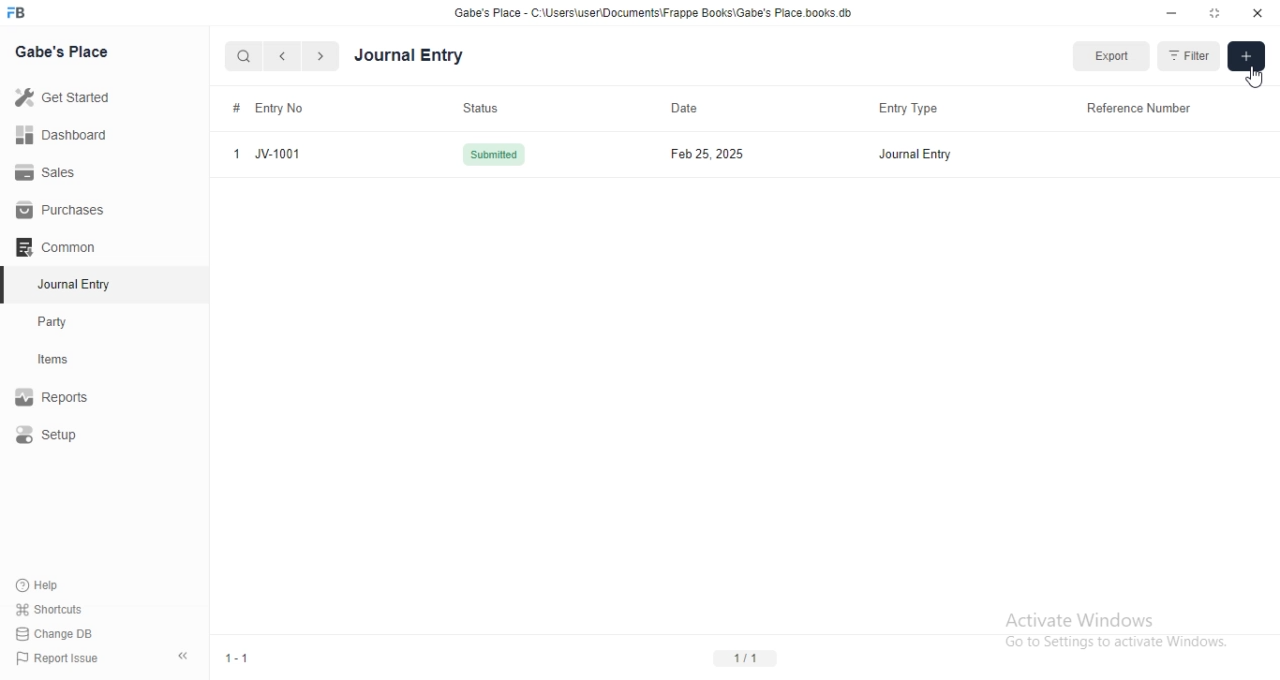 This screenshot has height=680, width=1280. What do you see at coordinates (680, 107) in the screenshot?
I see `Date` at bounding box center [680, 107].